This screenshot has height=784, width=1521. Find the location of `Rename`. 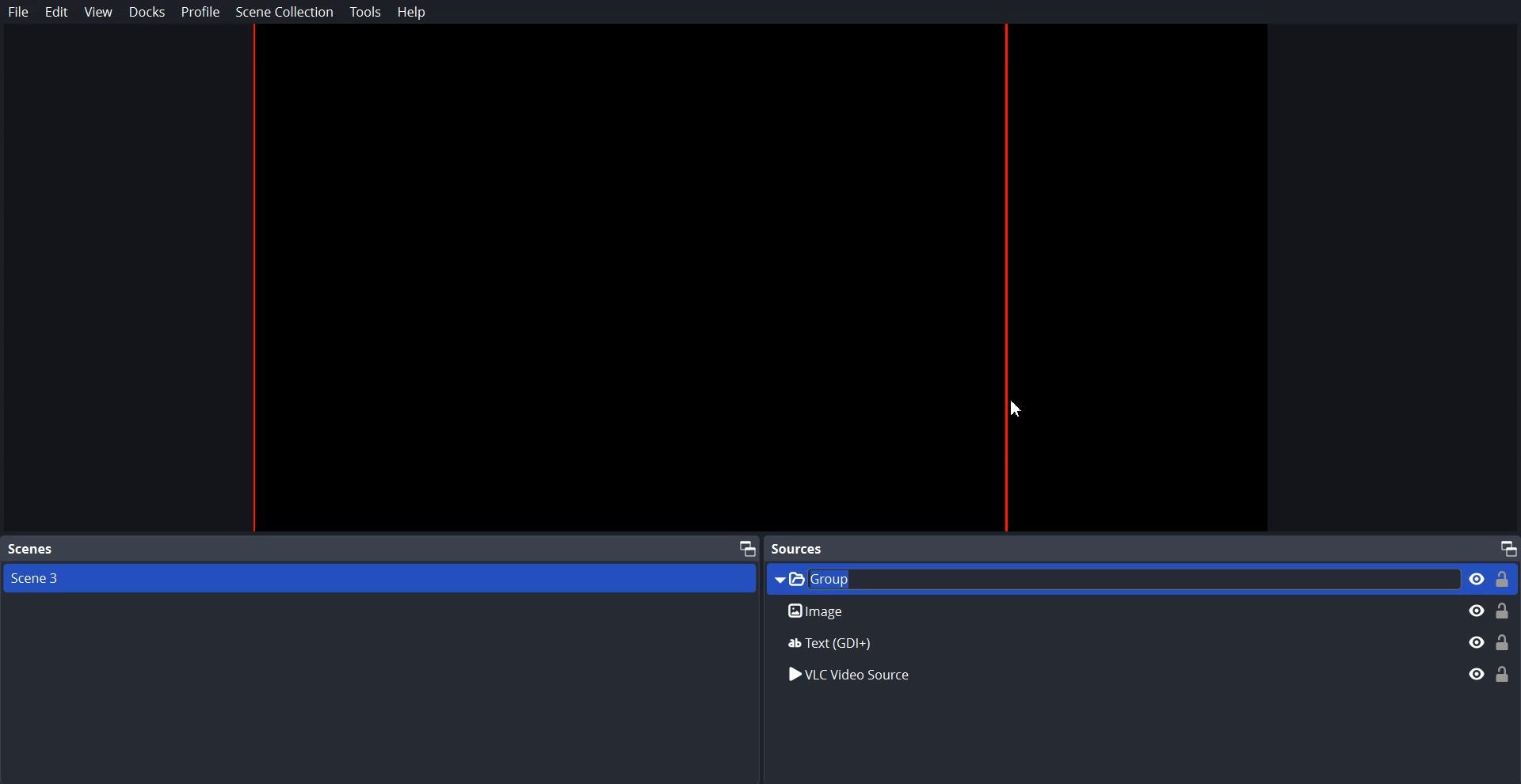

Rename is located at coordinates (1144, 611).